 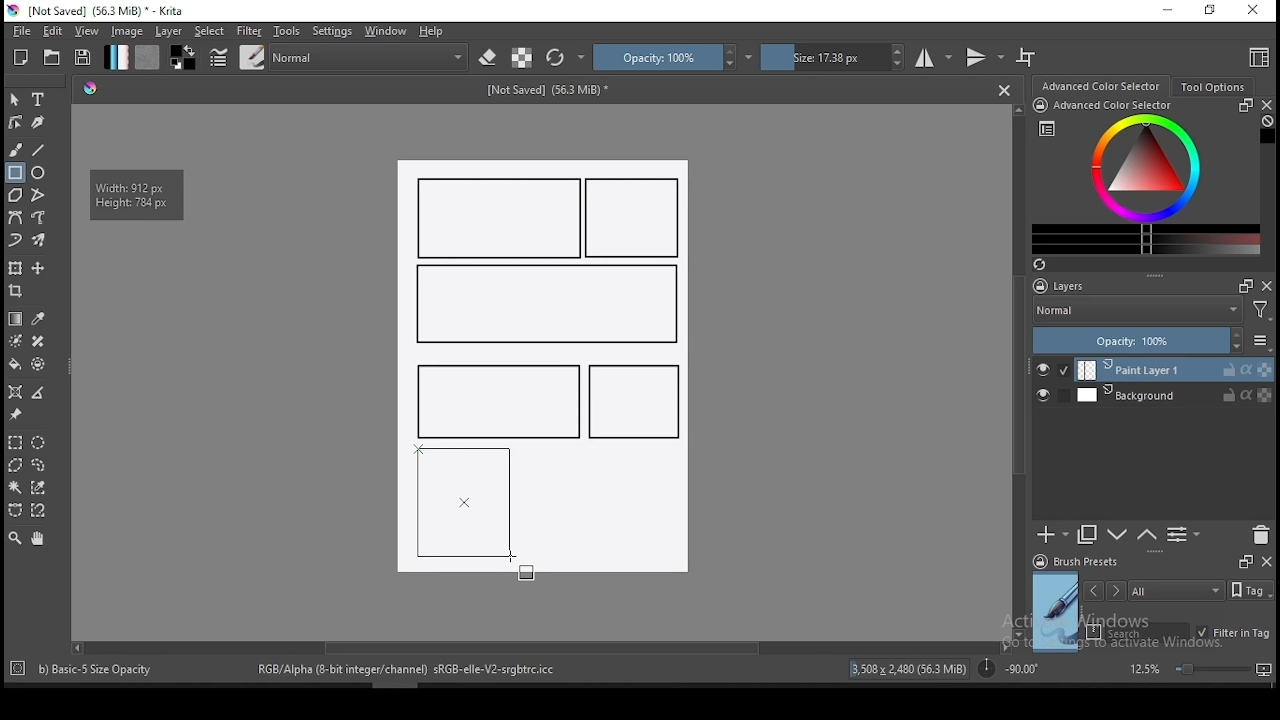 I want to click on  close window, so click(x=1255, y=11).